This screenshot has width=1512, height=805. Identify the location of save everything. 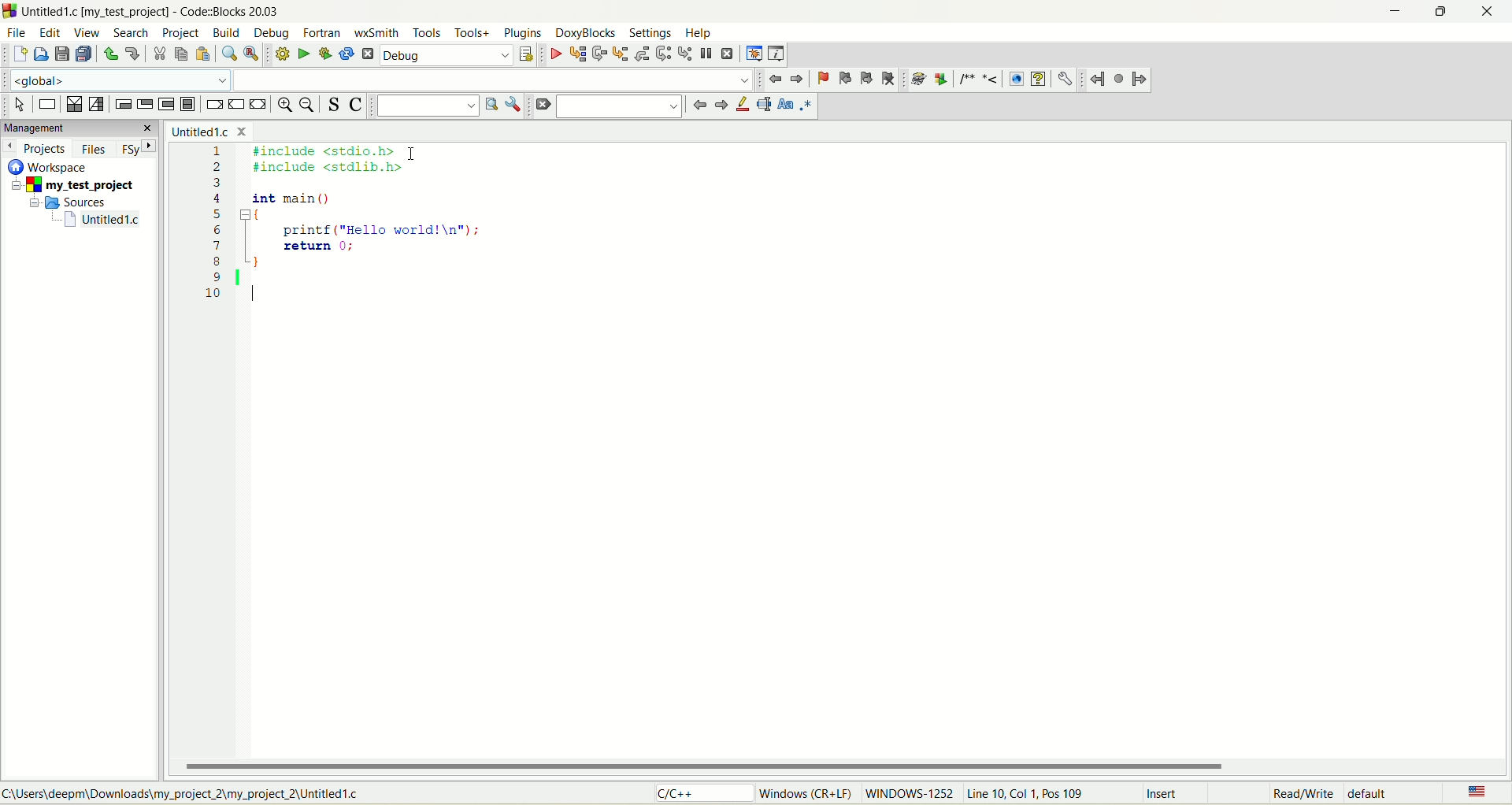
(86, 55).